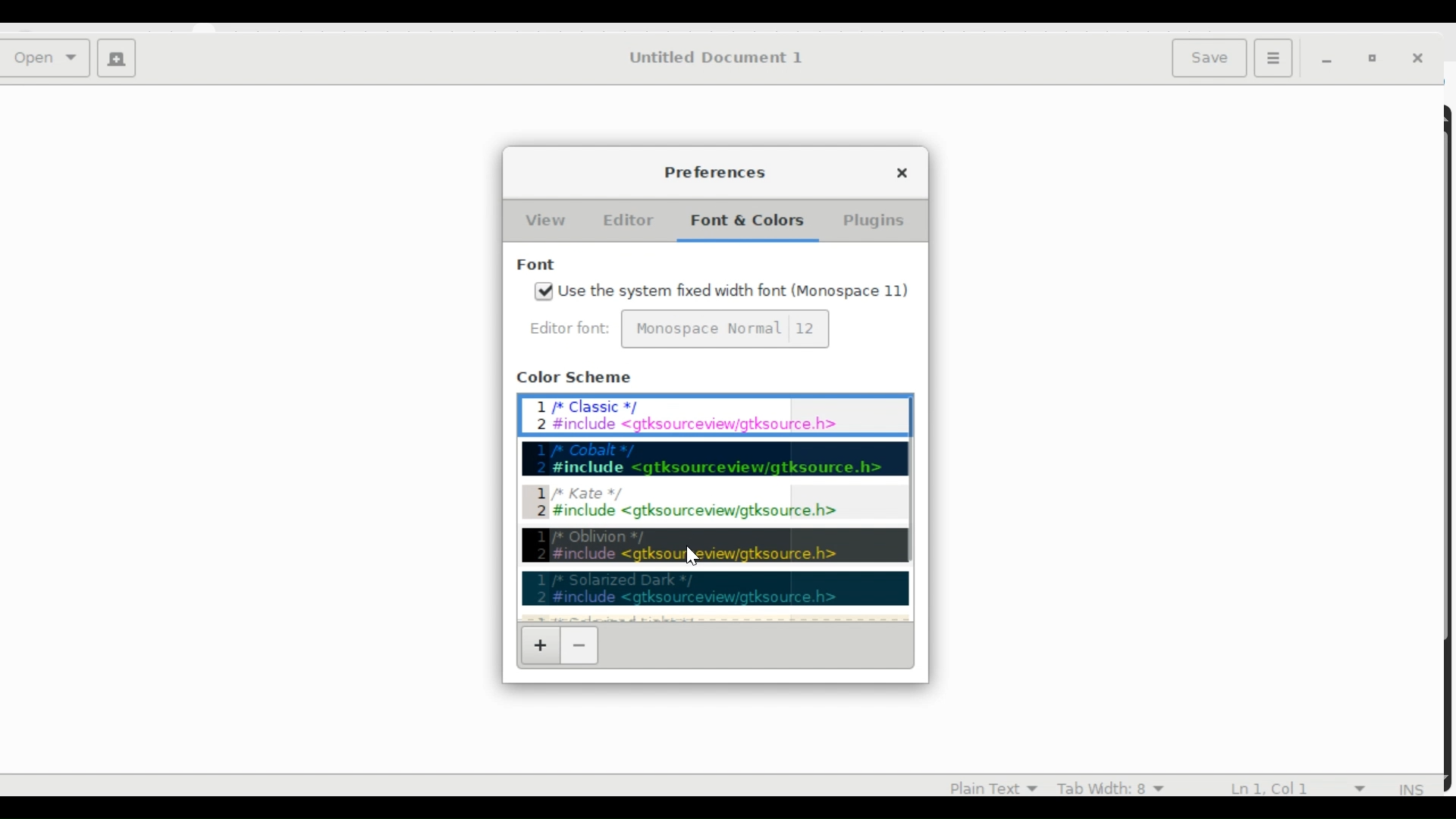 The image size is (1456, 819). I want to click on Application menu, so click(1272, 57).